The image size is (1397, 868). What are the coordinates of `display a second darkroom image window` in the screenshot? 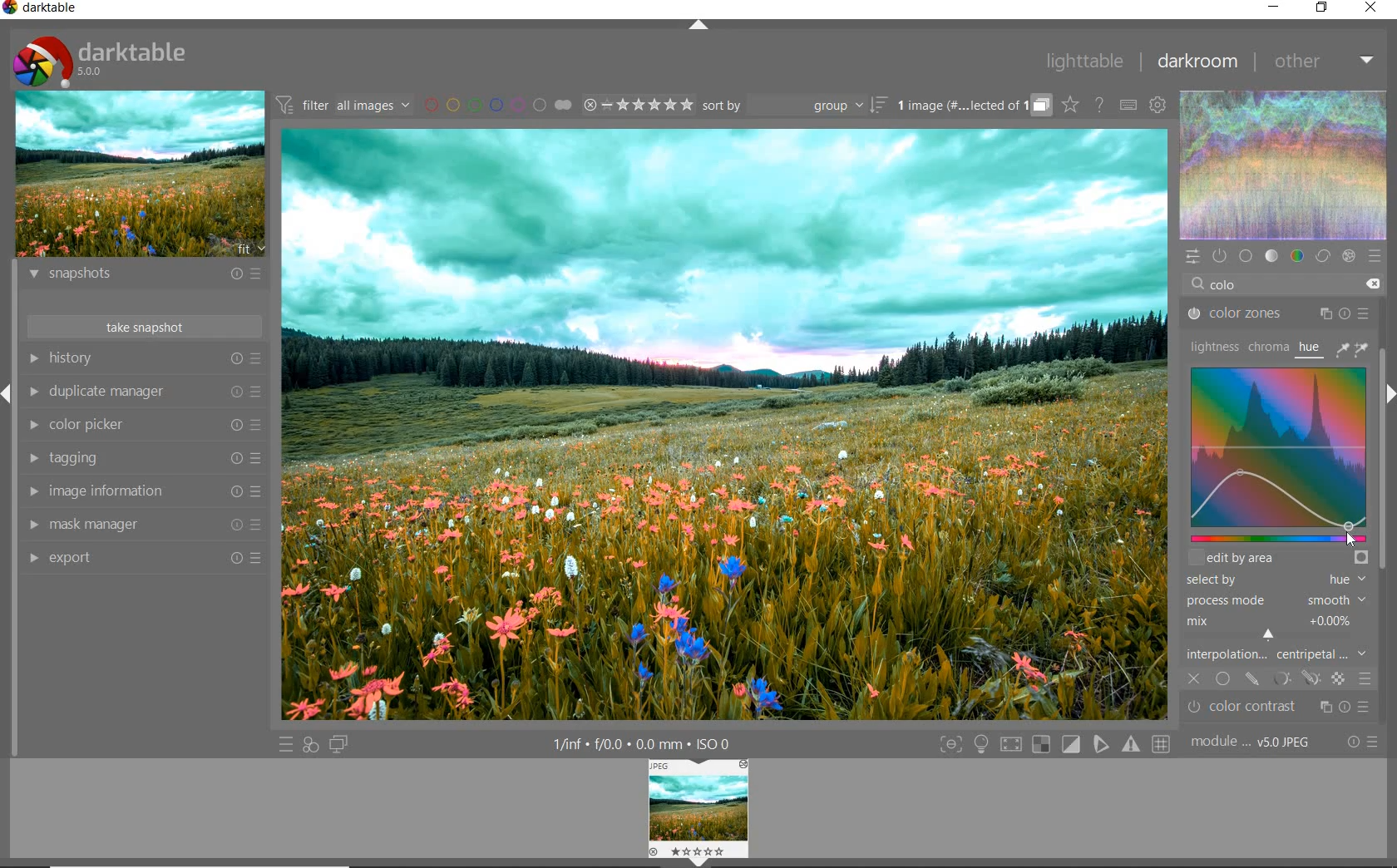 It's located at (338, 743).